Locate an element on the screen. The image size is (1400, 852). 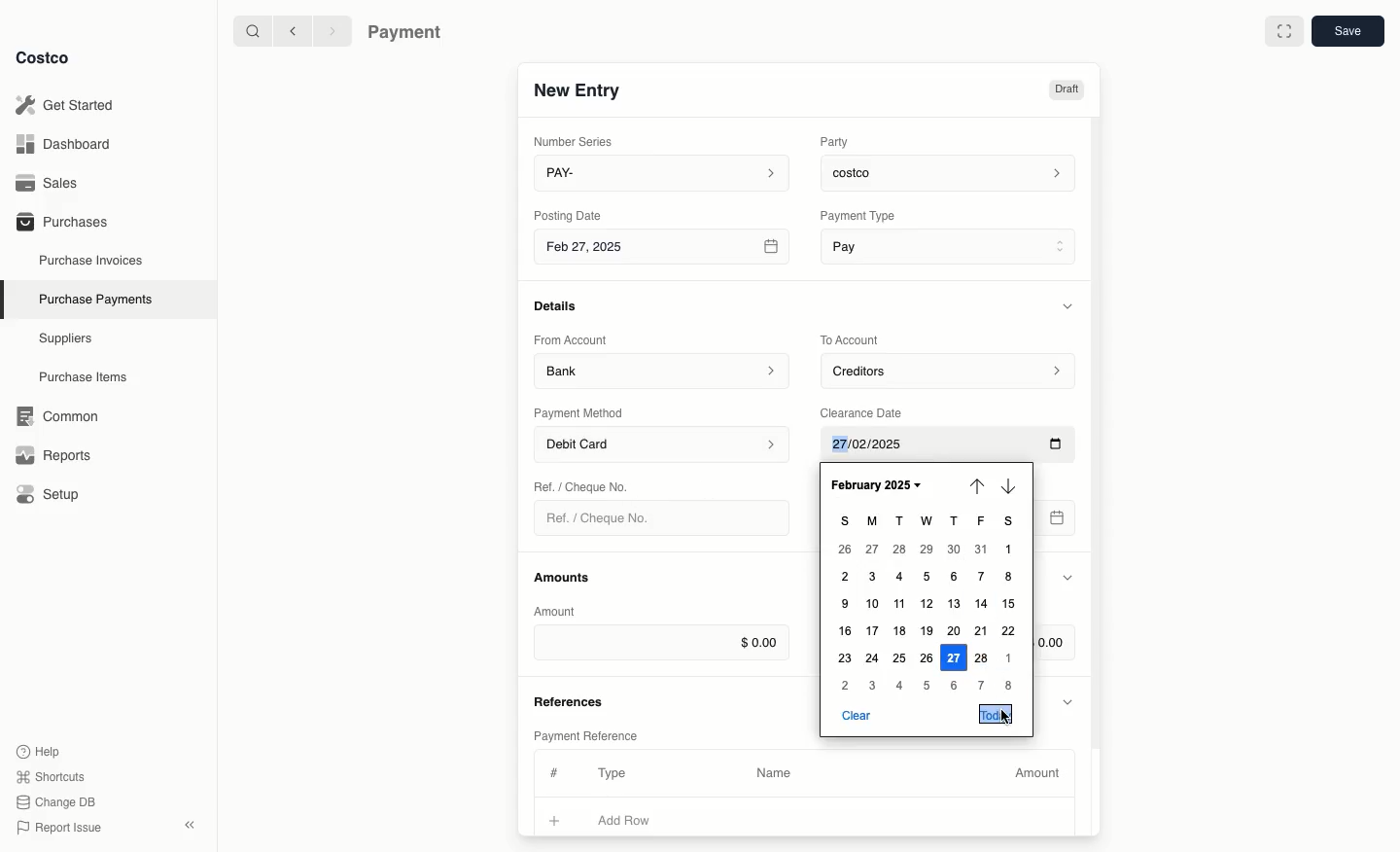
# is located at coordinates (551, 770).